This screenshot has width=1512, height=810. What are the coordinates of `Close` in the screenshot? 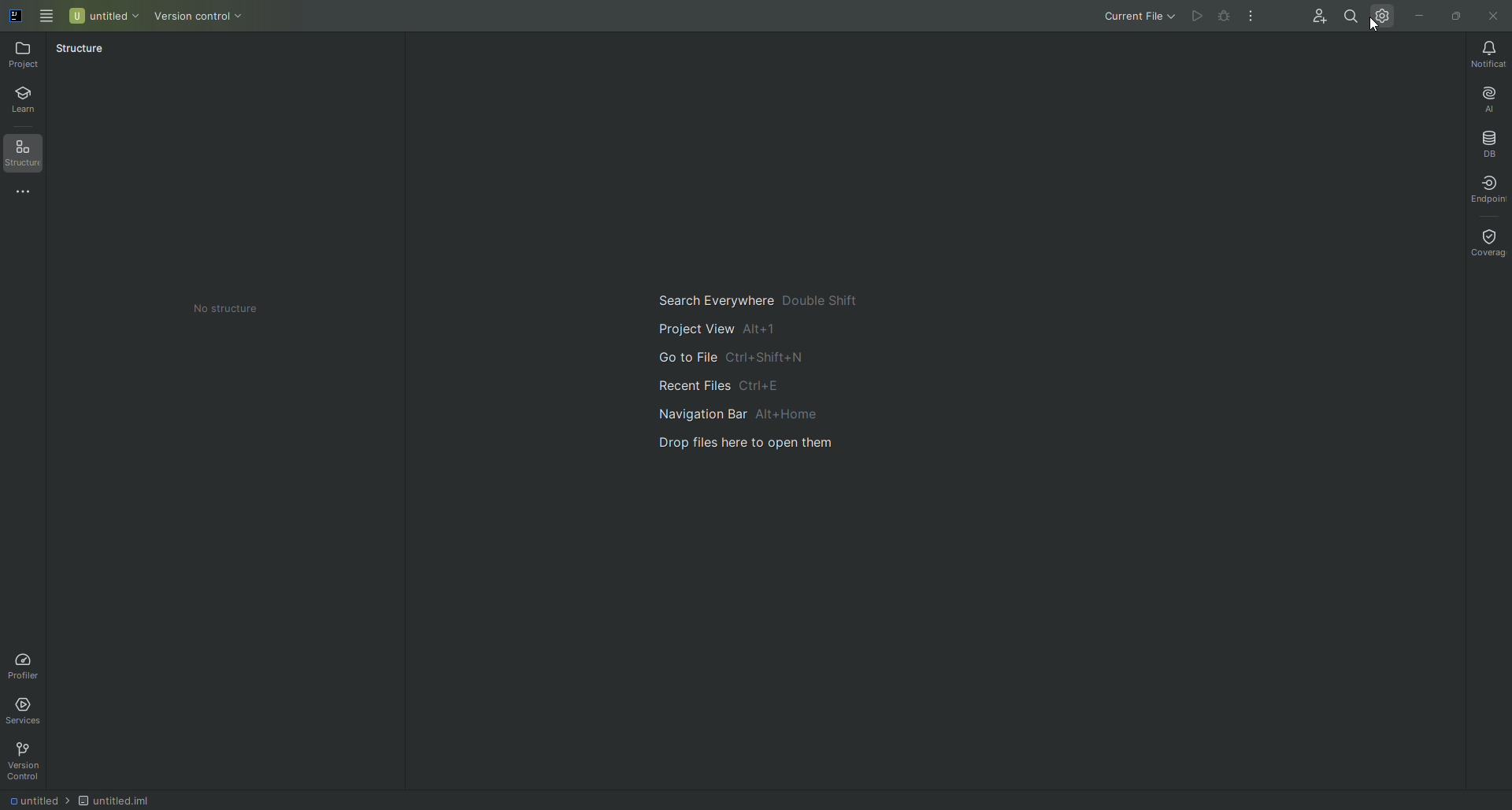 It's located at (1495, 16).